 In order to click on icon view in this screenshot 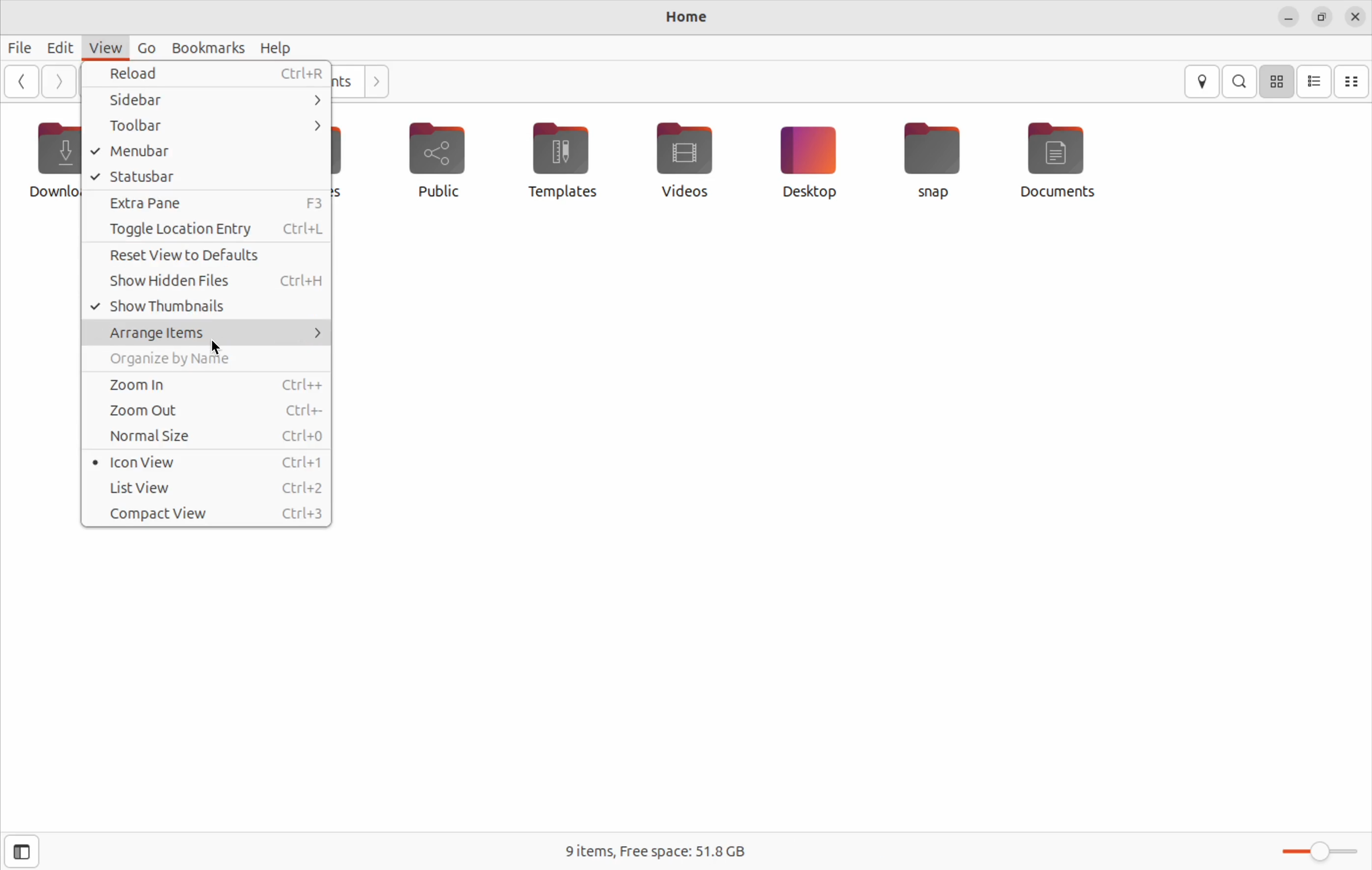, I will do `click(208, 462)`.